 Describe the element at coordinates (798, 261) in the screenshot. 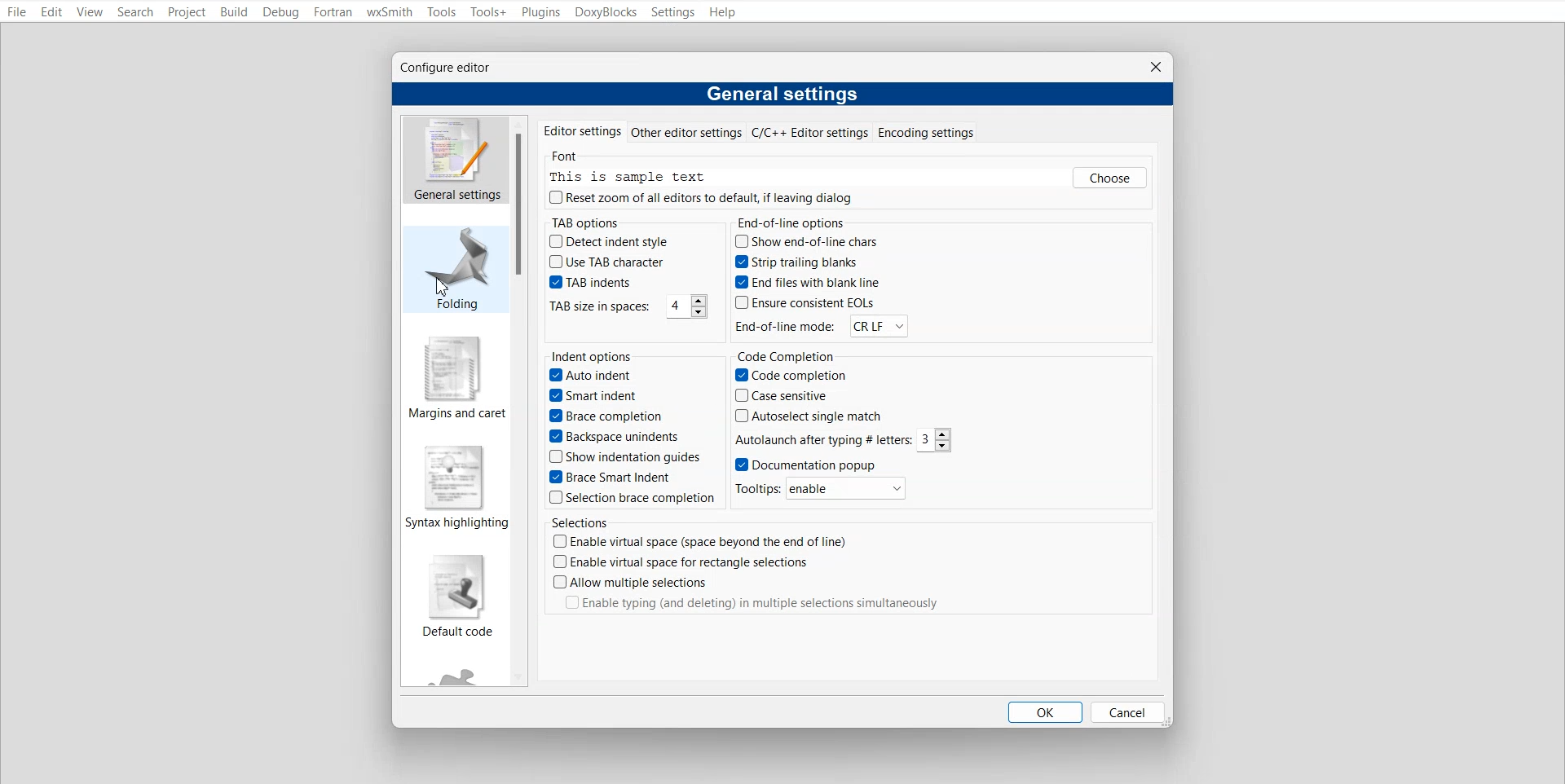

I see `Strip trailing blanks` at that location.